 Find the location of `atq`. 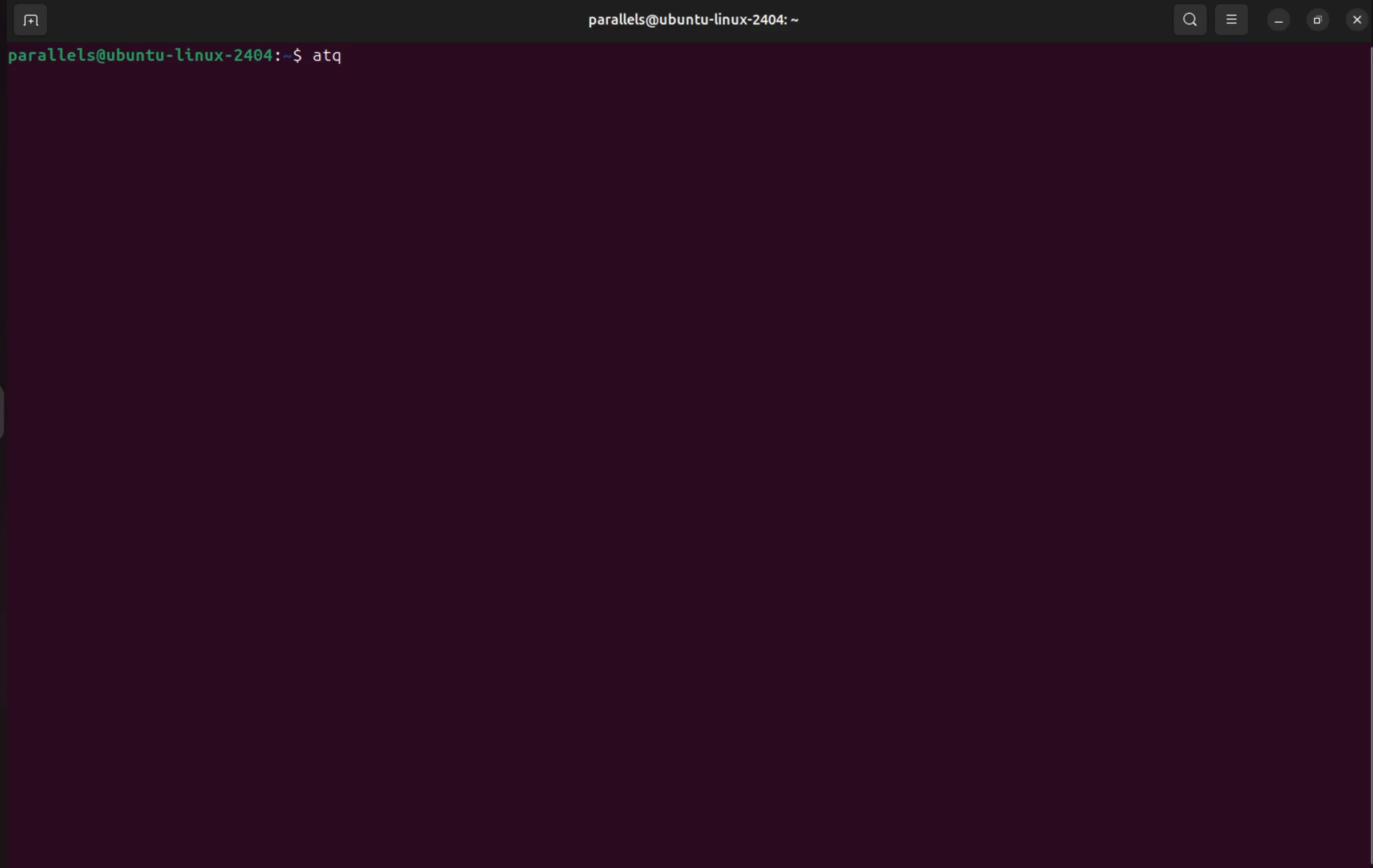

atq is located at coordinates (332, 56).